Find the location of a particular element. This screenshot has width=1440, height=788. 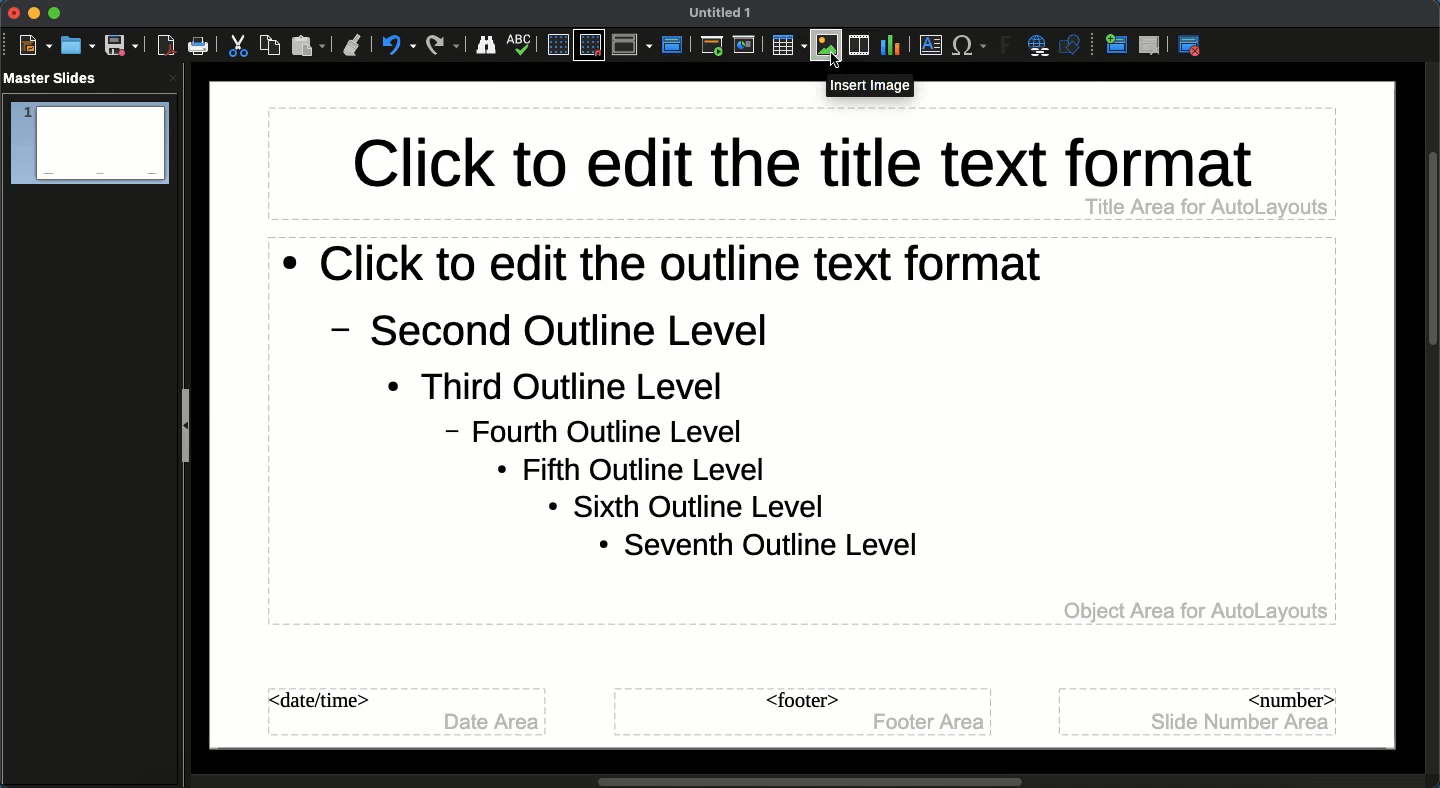

Cut is located at coordinates (238, 46).